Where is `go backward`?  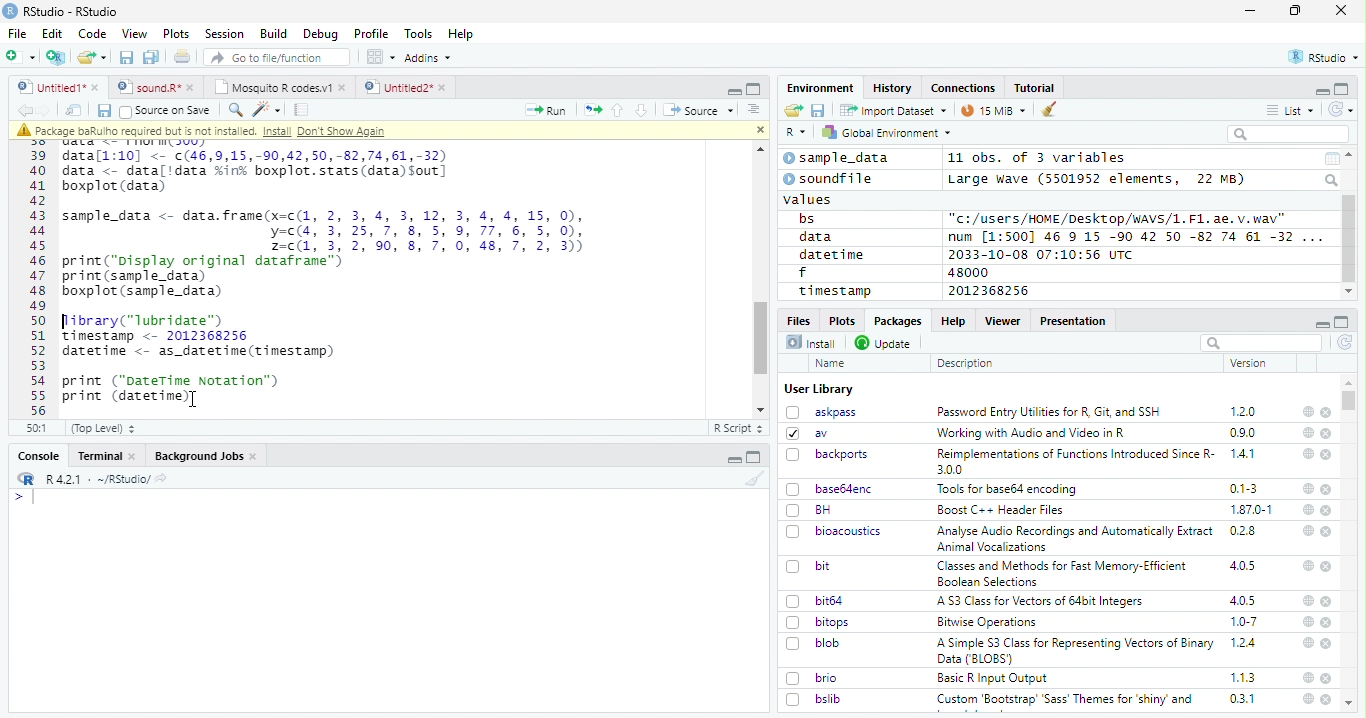 go backward is located at coordinates (25, 109).